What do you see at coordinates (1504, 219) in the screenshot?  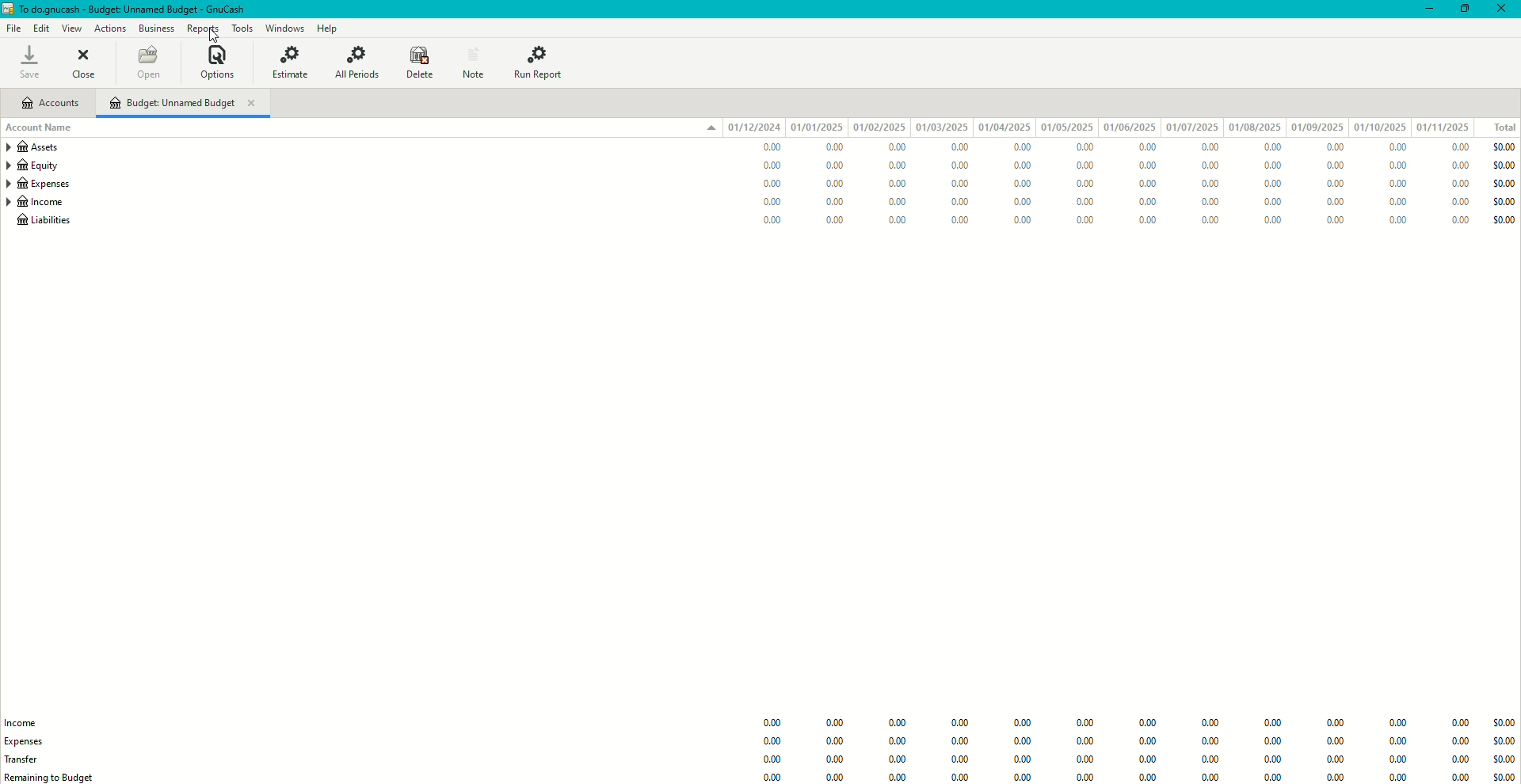 I see `$0.00` at bounding box center [1504, 219].